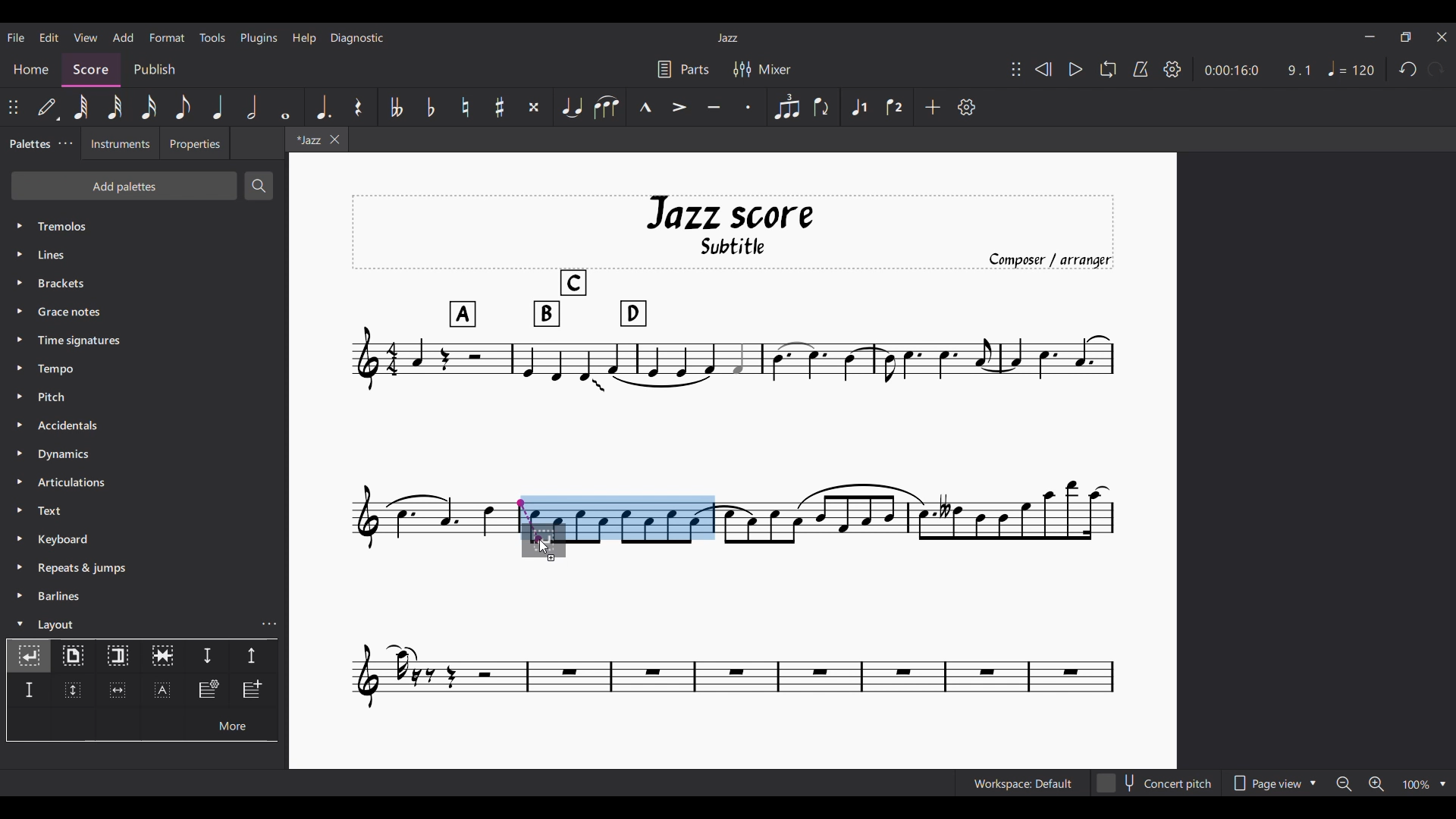  What do you see at coordinates (395, 107) in the screenshot?
I see `Toggle double flat` at bounding box center [395, 107].